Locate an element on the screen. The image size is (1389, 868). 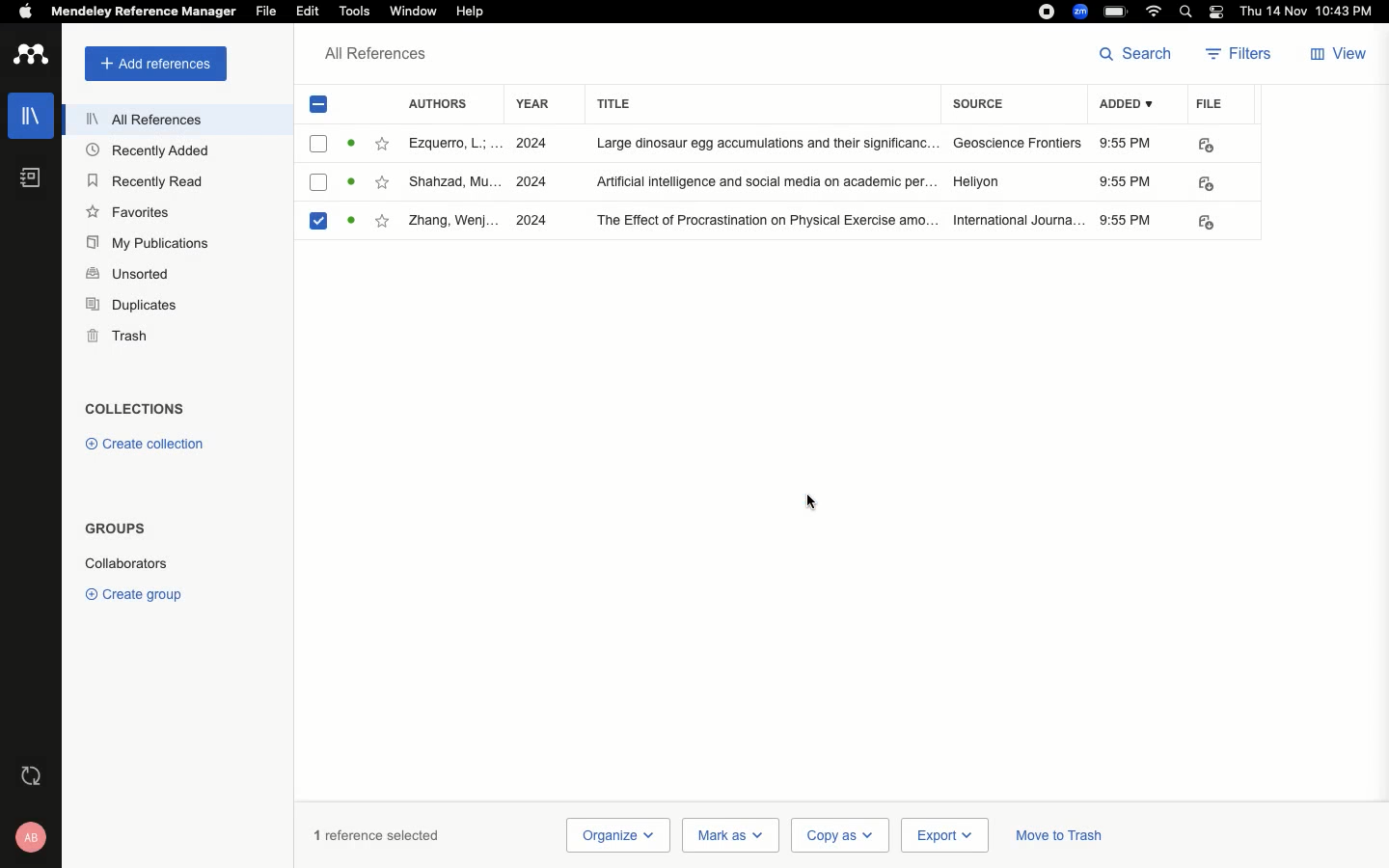
Geoscience frontiers is located at coordinates (1018, 144).